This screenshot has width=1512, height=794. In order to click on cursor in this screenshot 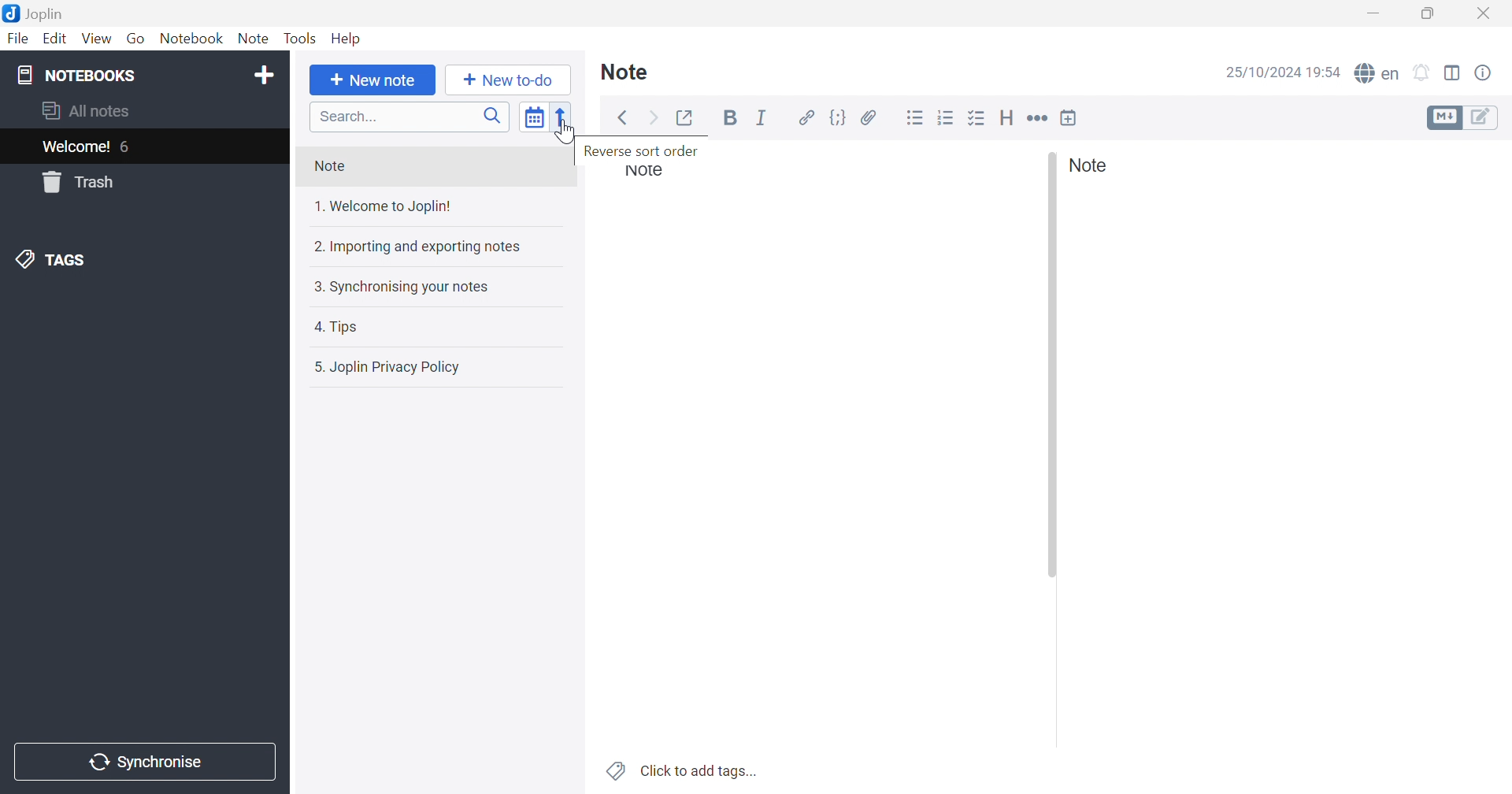, I will do `click(567, 135)`.